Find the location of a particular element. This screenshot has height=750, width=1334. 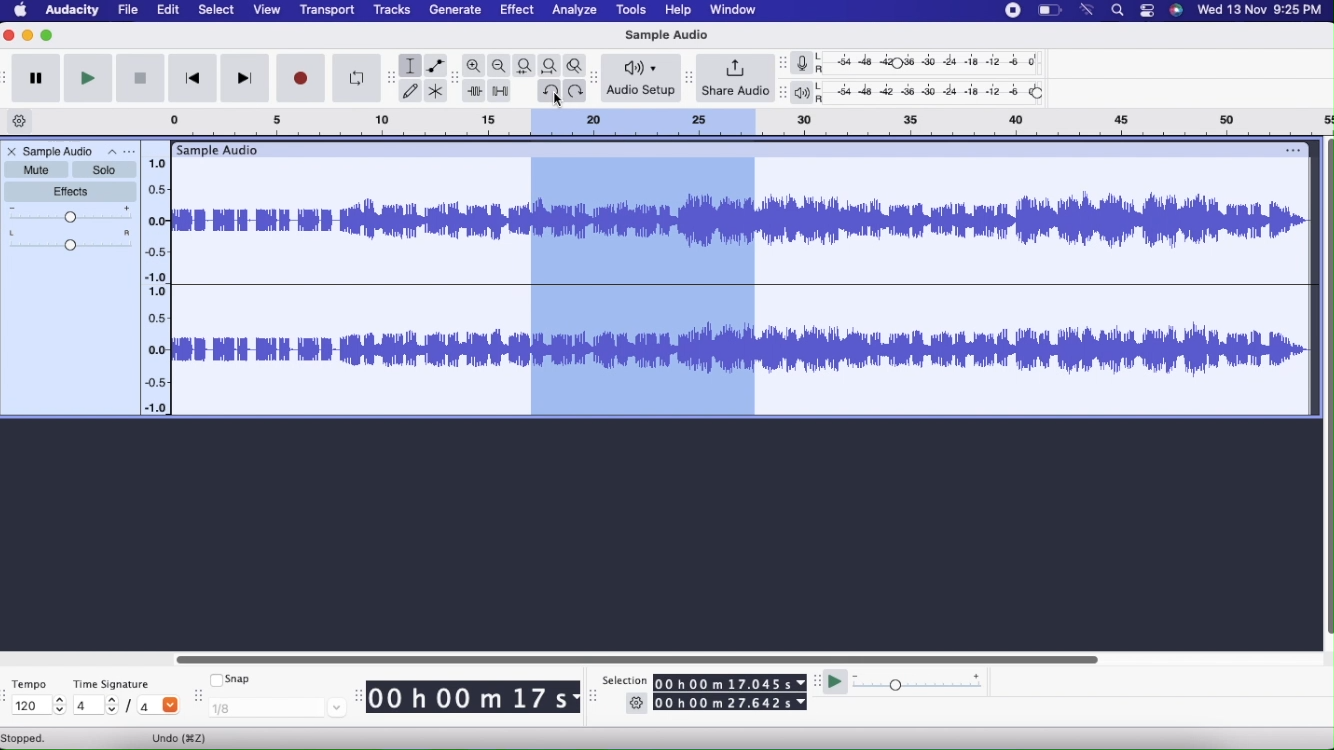

Enable looping is located at coordinates (358, 78).